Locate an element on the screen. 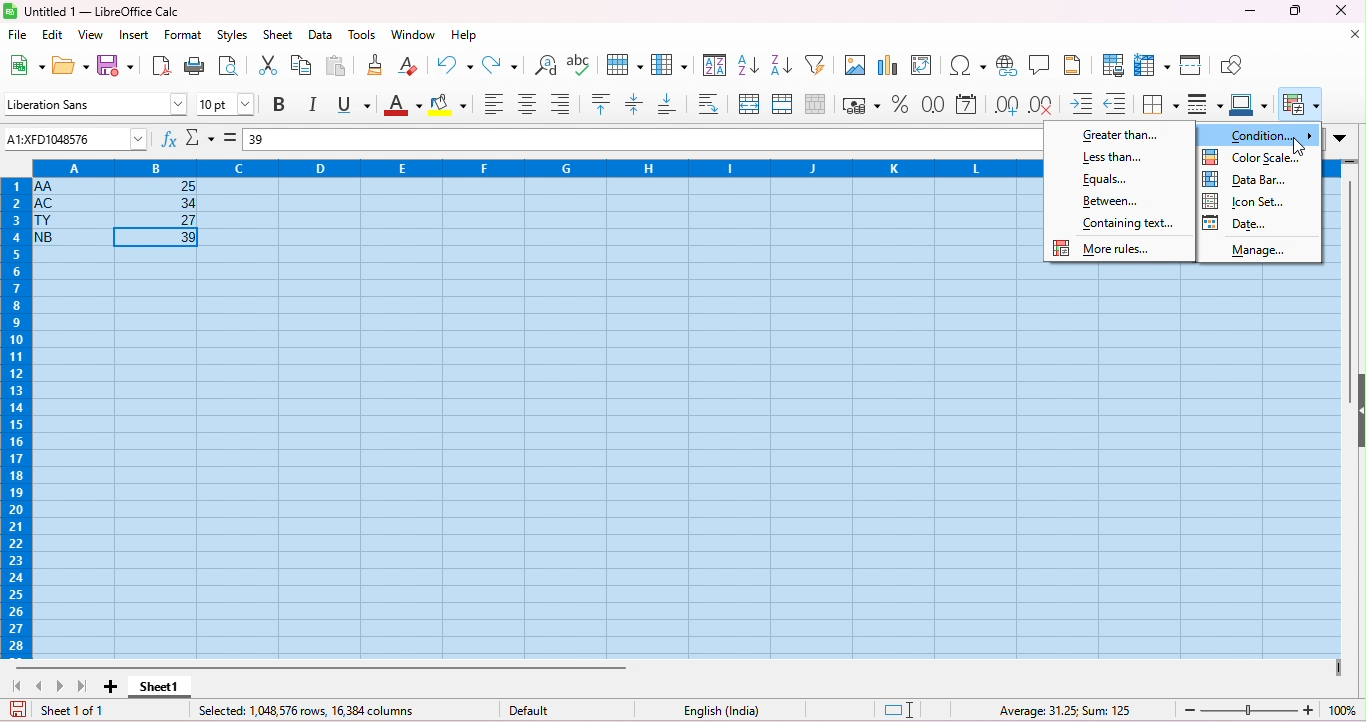 The width and height of the screenshot is (1366, 722). between is located at coordinates (1112, 202).